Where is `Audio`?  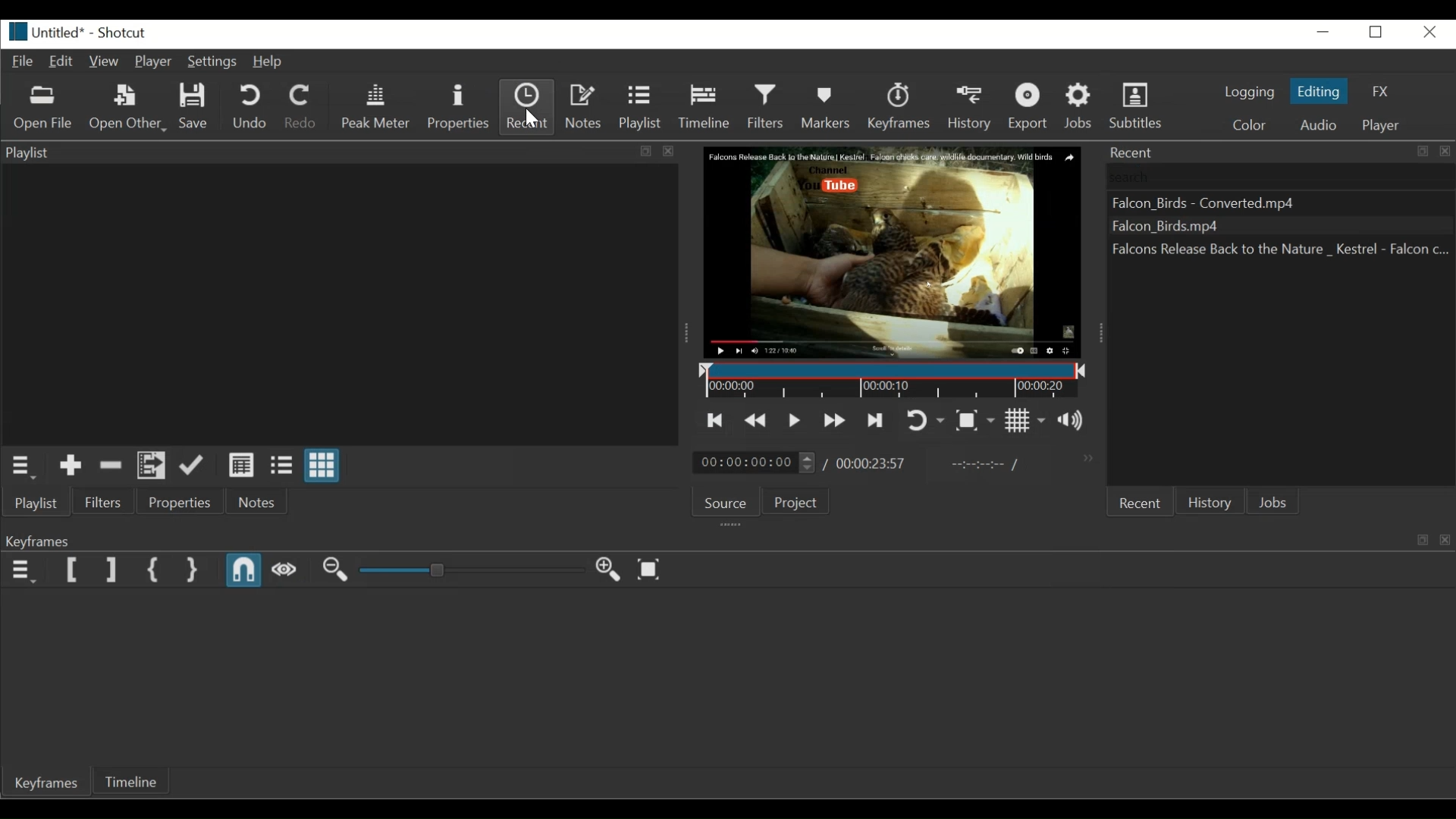 Audio is located at coordinates (1318, 125).